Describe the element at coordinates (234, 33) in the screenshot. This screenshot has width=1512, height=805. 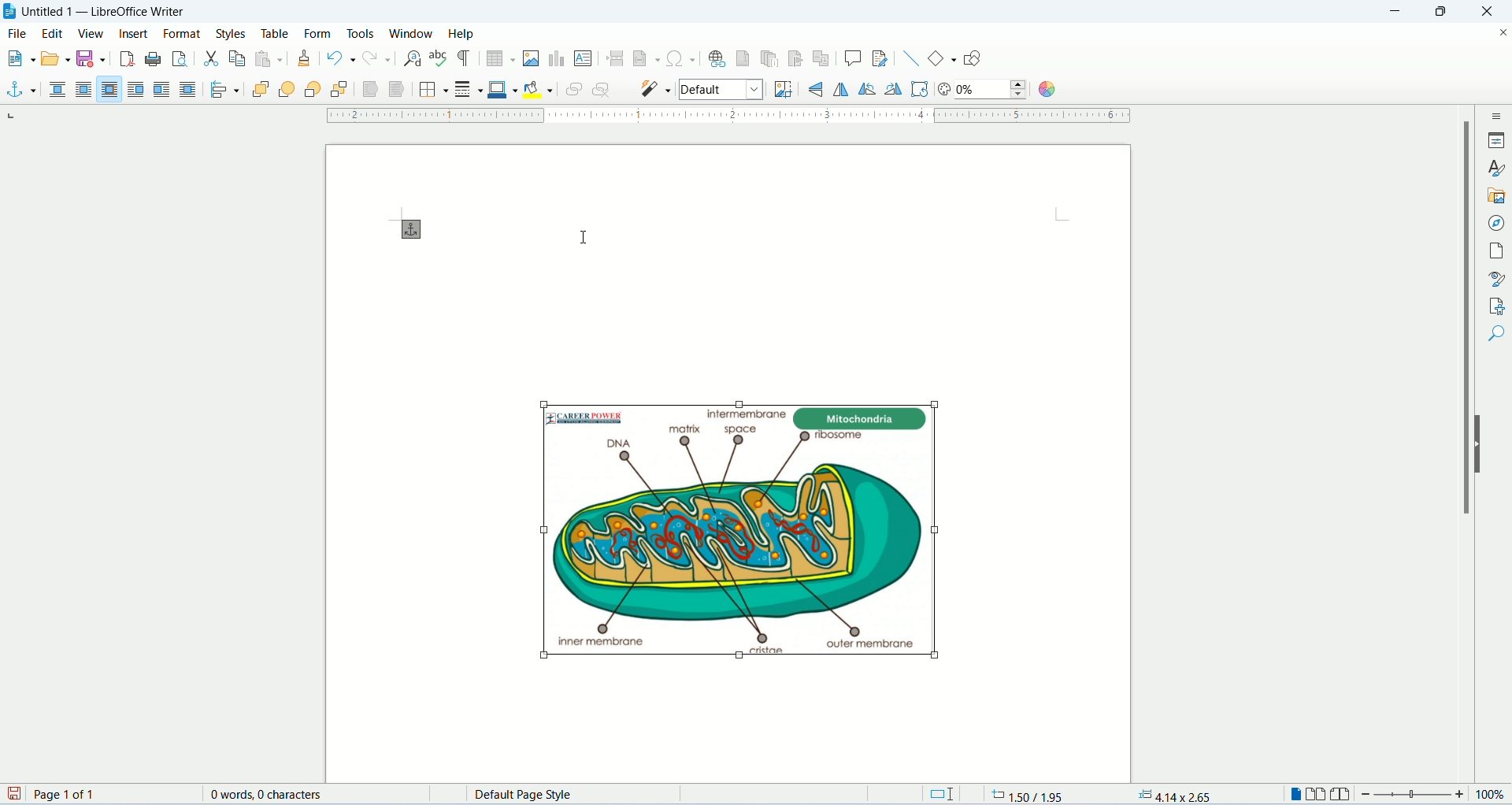
I see `styles` at that location.